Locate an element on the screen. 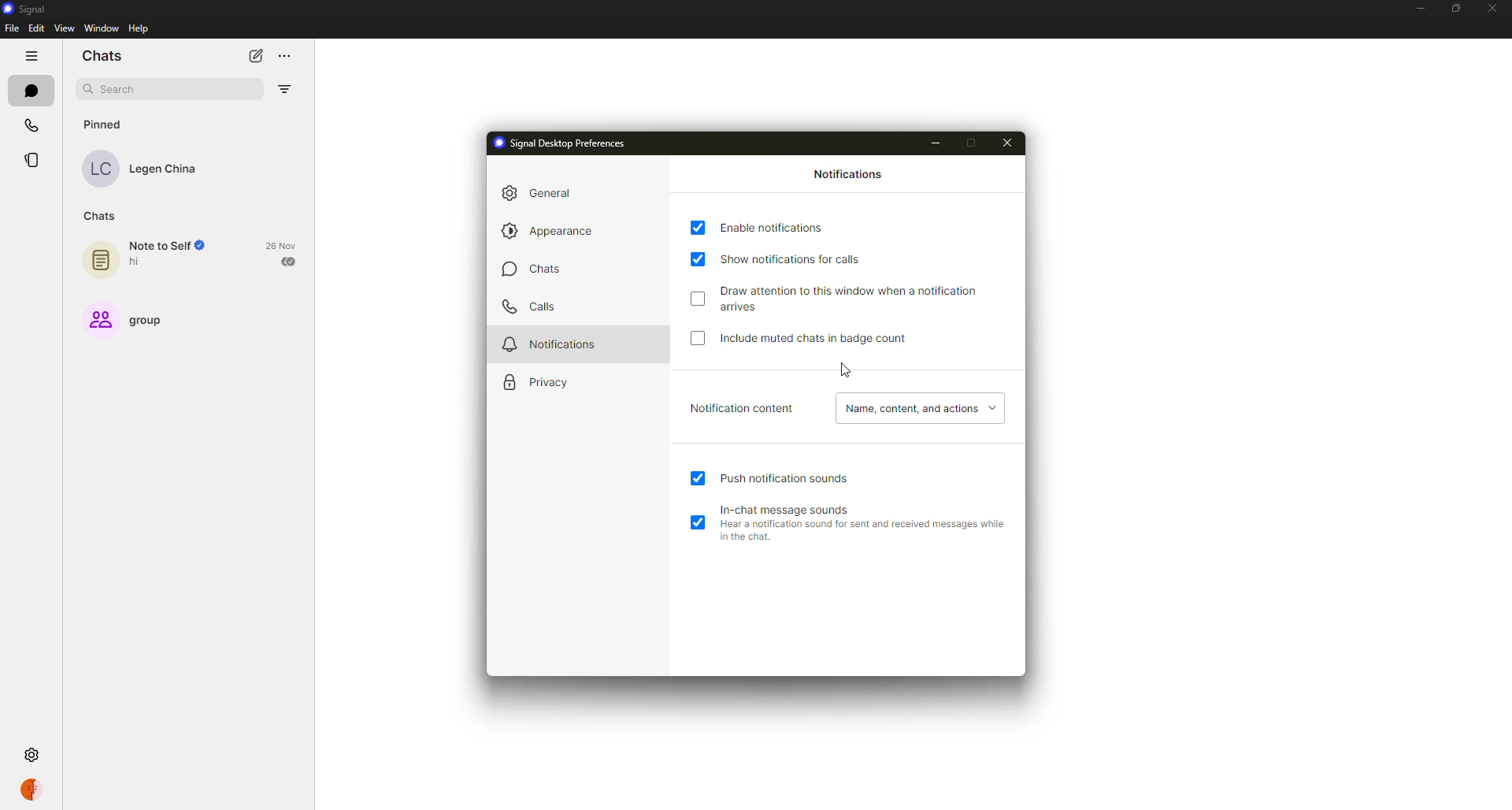 The image size is (1512, 810). search is located at coordinates (123, 88).